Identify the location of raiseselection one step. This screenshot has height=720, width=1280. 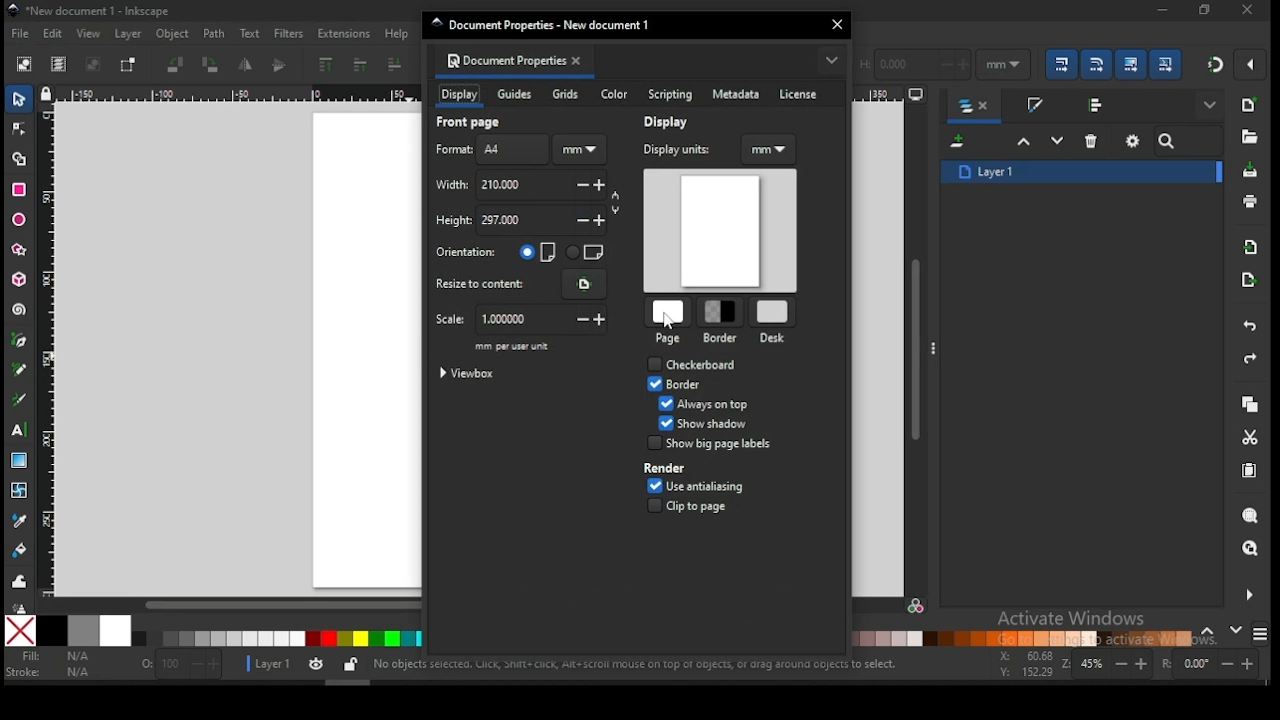
(1024, 142).